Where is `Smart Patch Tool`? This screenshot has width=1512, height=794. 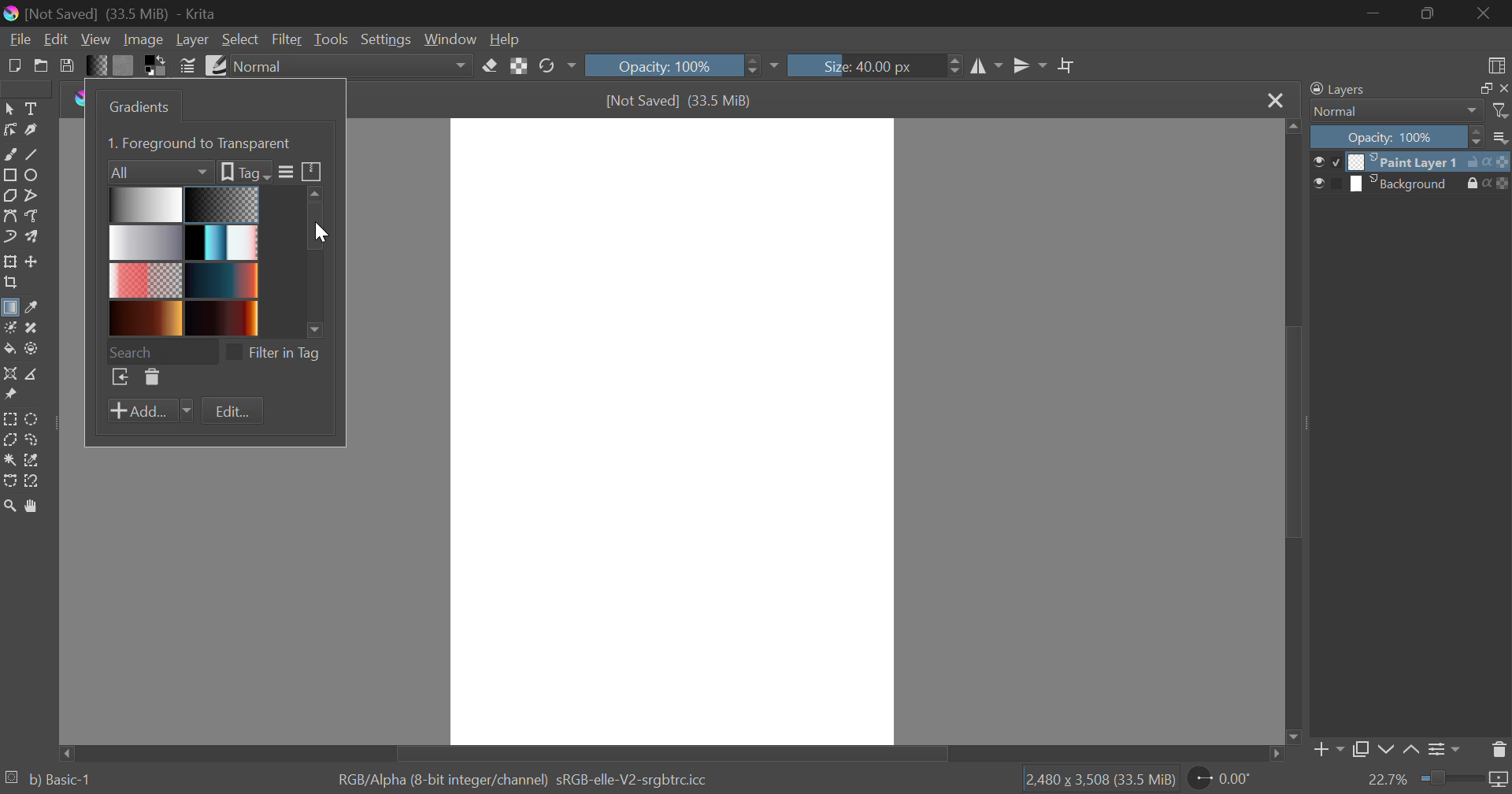
Smart Patch Tool is located at coordinates (32, 329).